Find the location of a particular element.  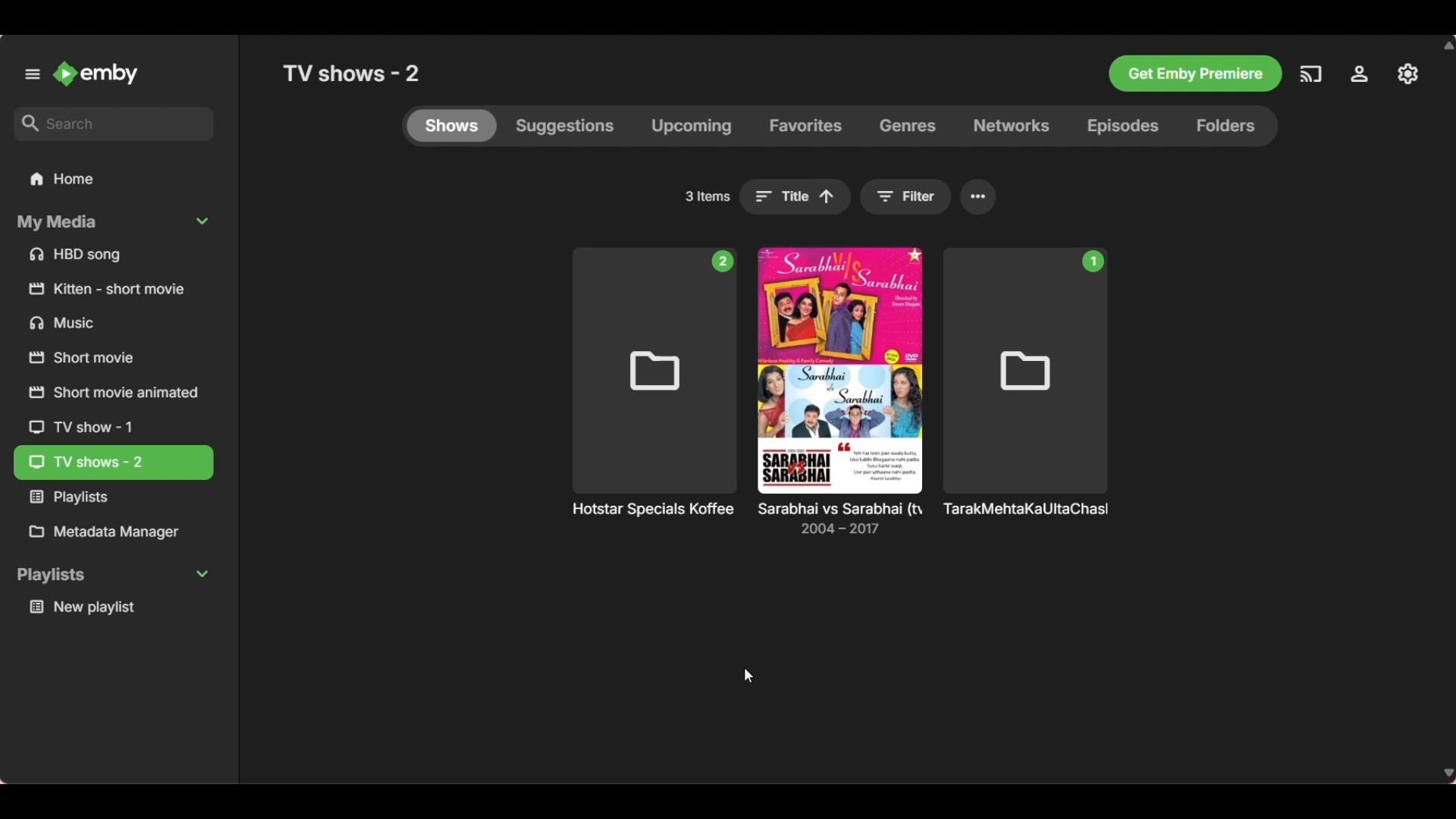

cursor is located at coordinates (748, 671).